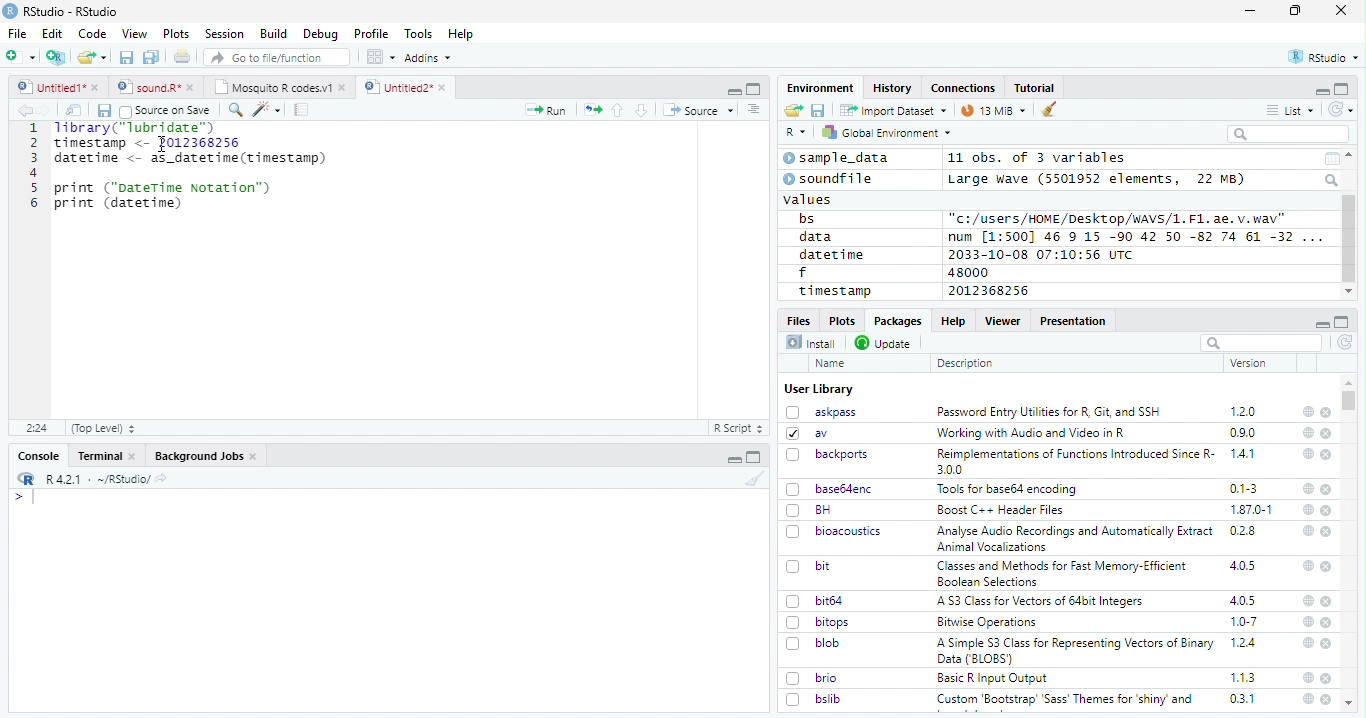  What do you see at coordinates (814, 698) in the screenshot?
I see `bslib` at bounding box center [814, 698].